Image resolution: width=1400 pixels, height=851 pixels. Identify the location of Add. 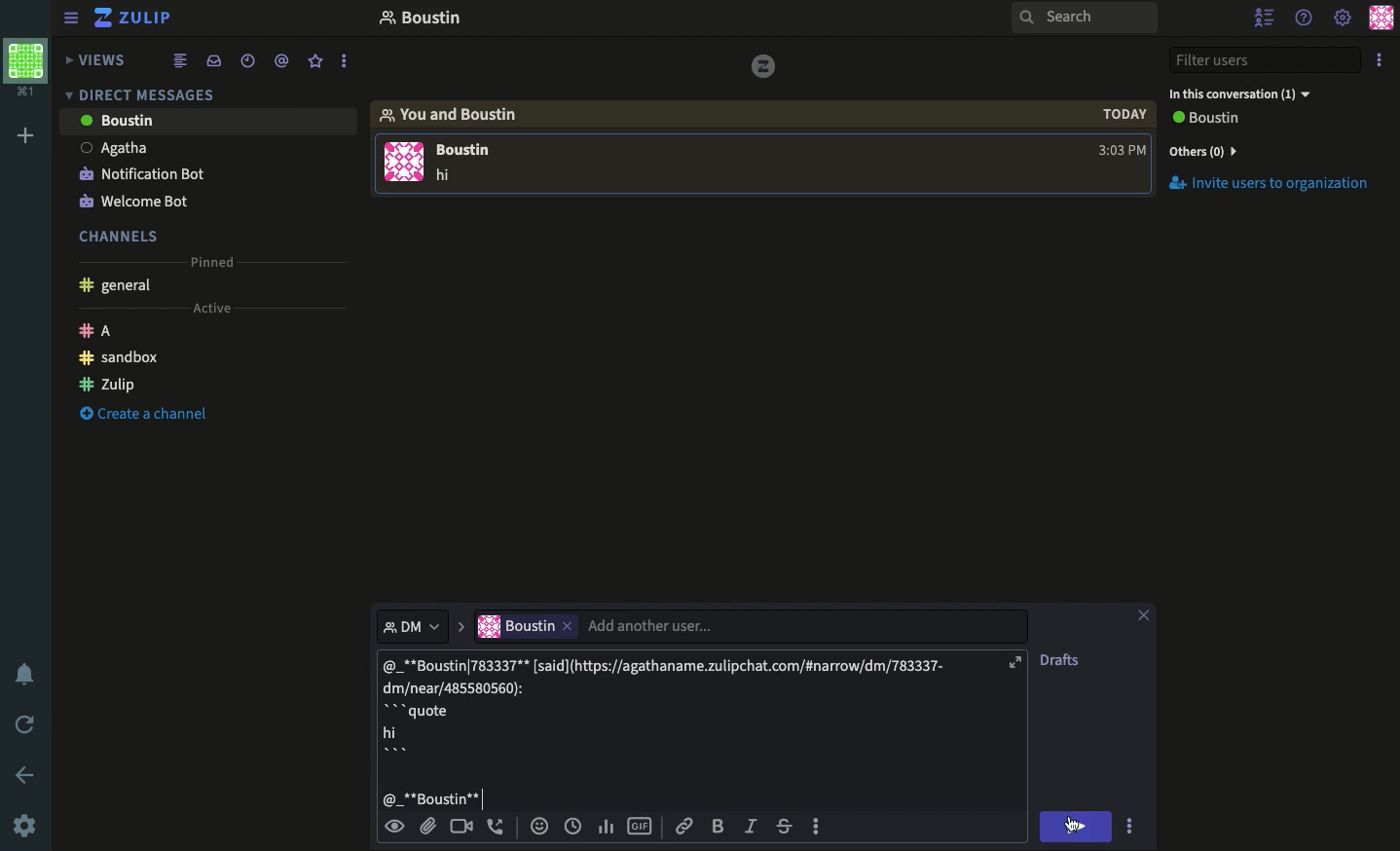
(21, 137).